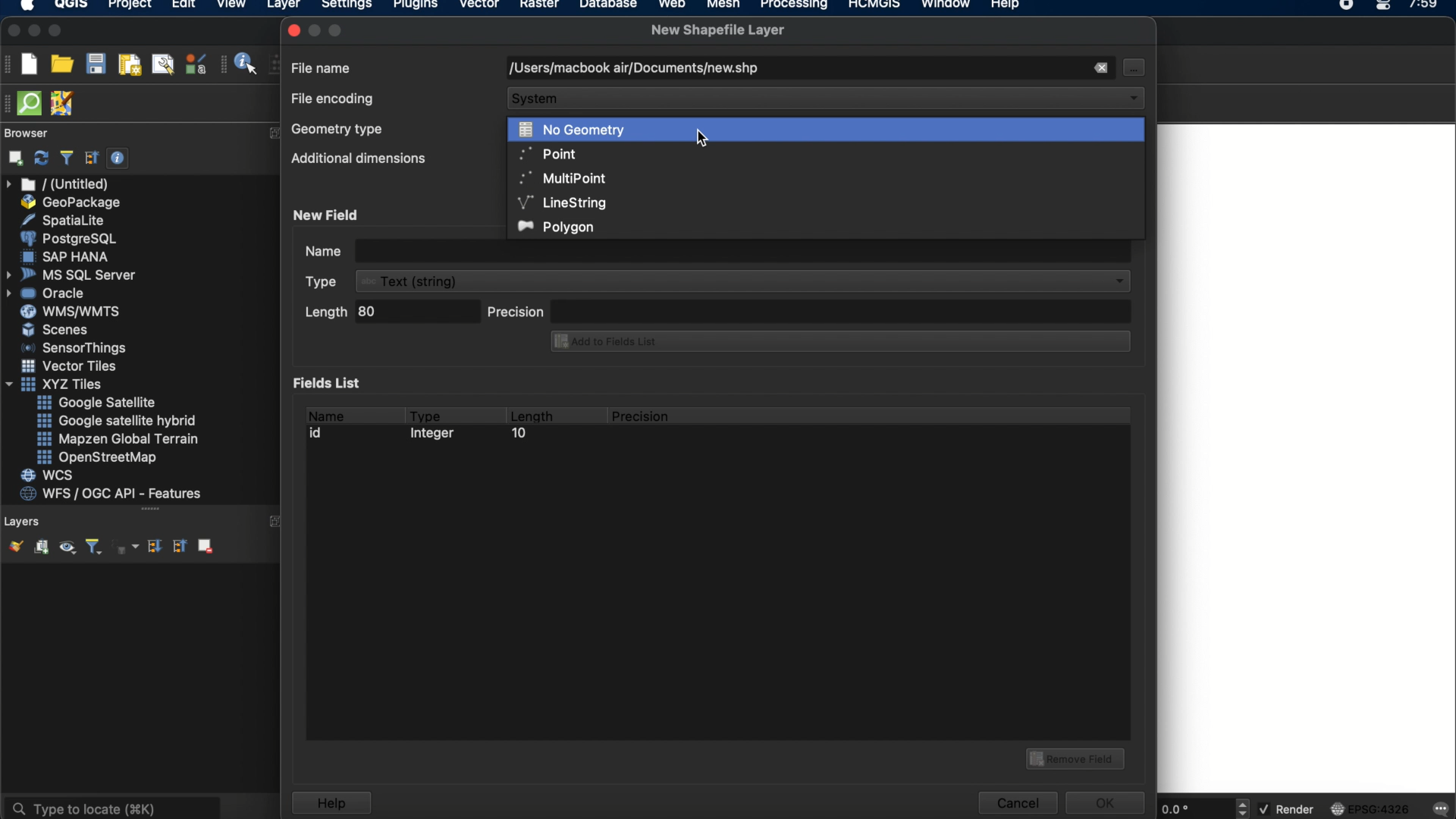 Image resolution: width=1456 pixels, height=819 pixels. Describe the element at coordinates (66, 158) in the screenshot. I see `filter browser` at that location.